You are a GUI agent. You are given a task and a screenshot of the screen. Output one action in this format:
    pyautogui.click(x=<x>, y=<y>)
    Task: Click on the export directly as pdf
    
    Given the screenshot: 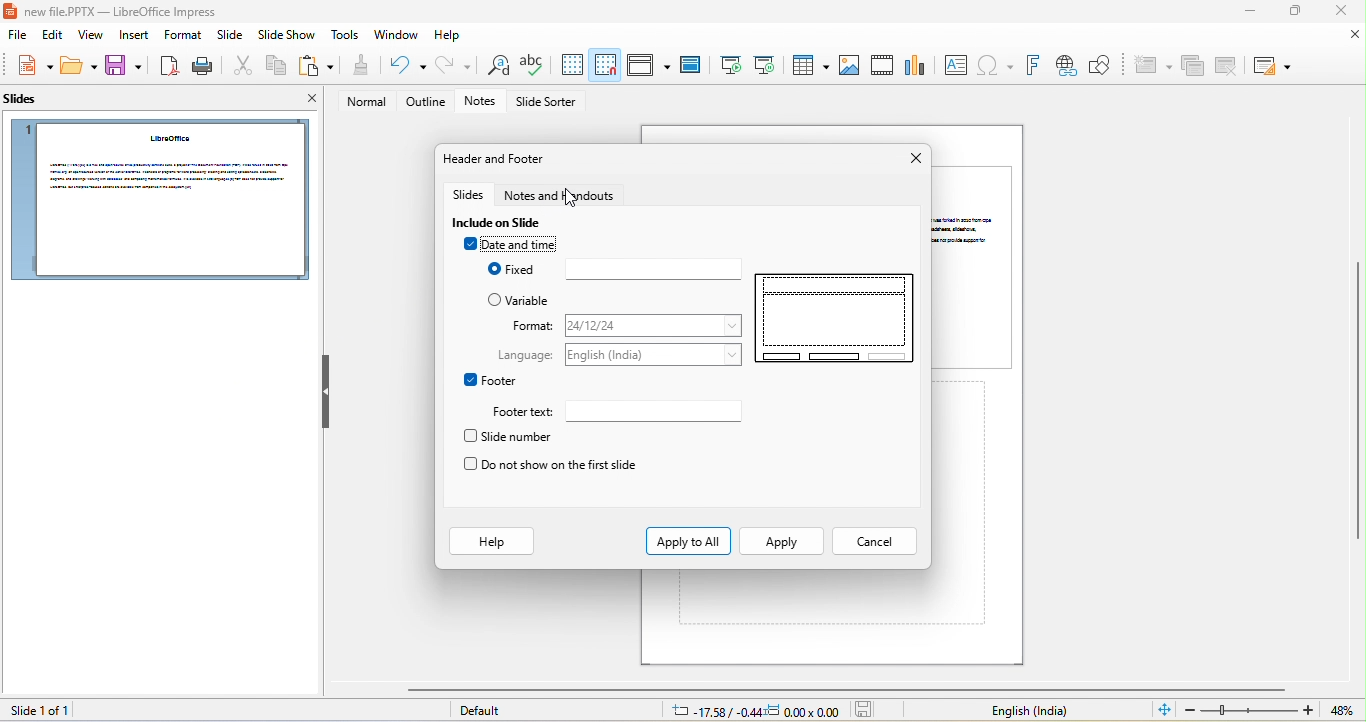 What is the action you would take?
    pyautogui.click(x=168, y=66)
    